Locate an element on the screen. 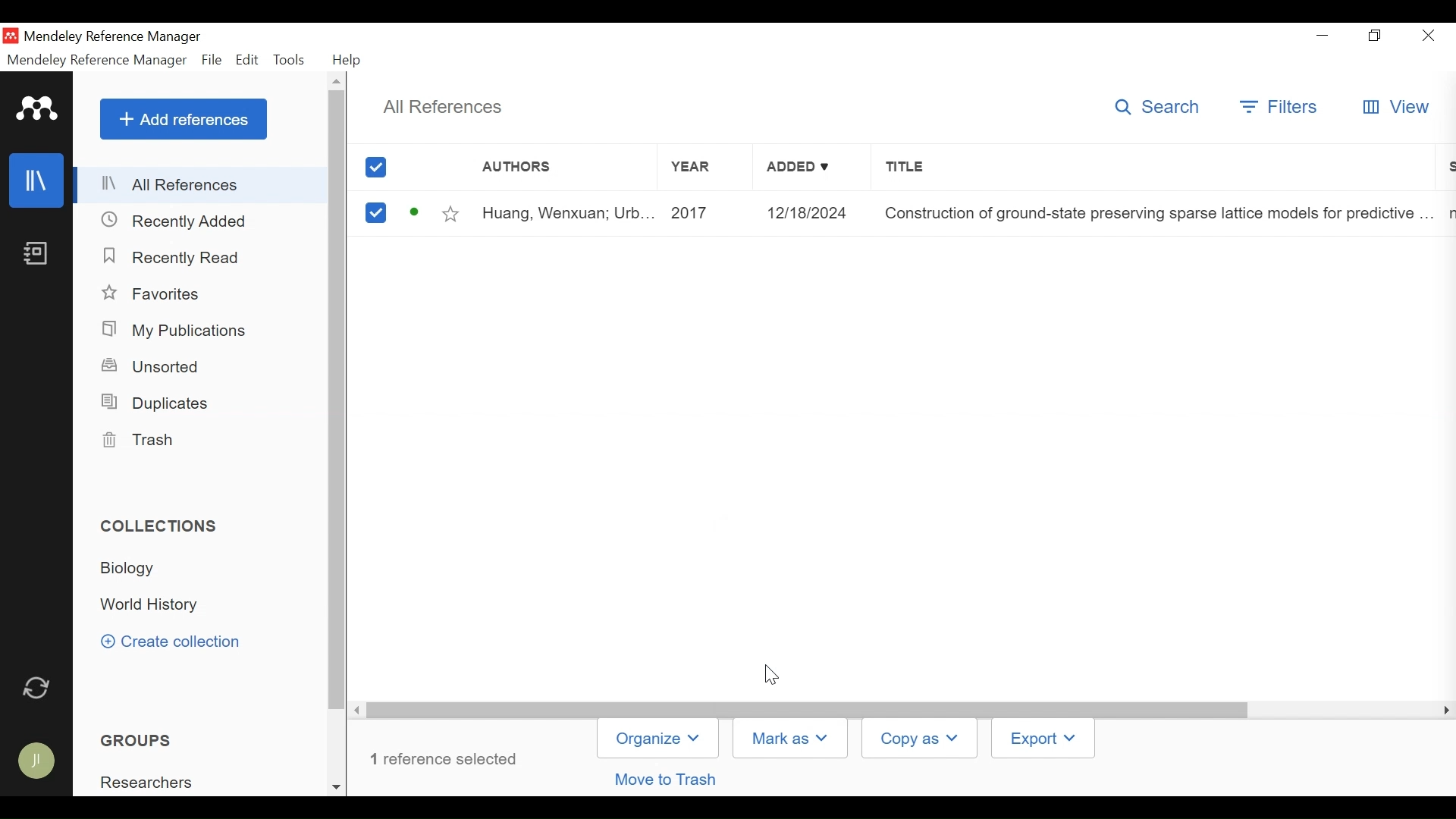 The width and height of the screenshot is (1456, 819). View is located at coordinates (1395, 108).